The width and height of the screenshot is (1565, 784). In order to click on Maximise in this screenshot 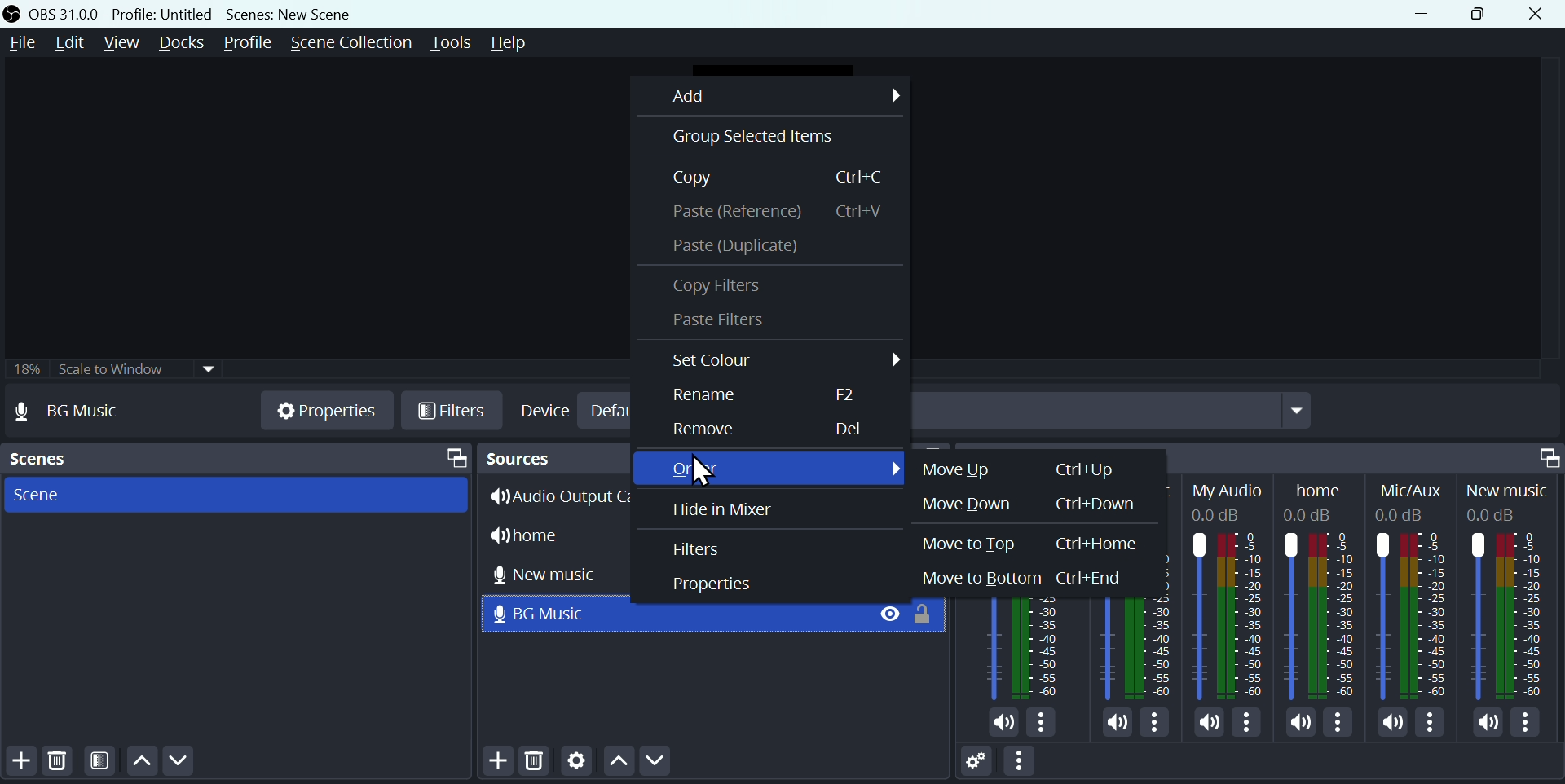, I will do `click(1479, 12)`.